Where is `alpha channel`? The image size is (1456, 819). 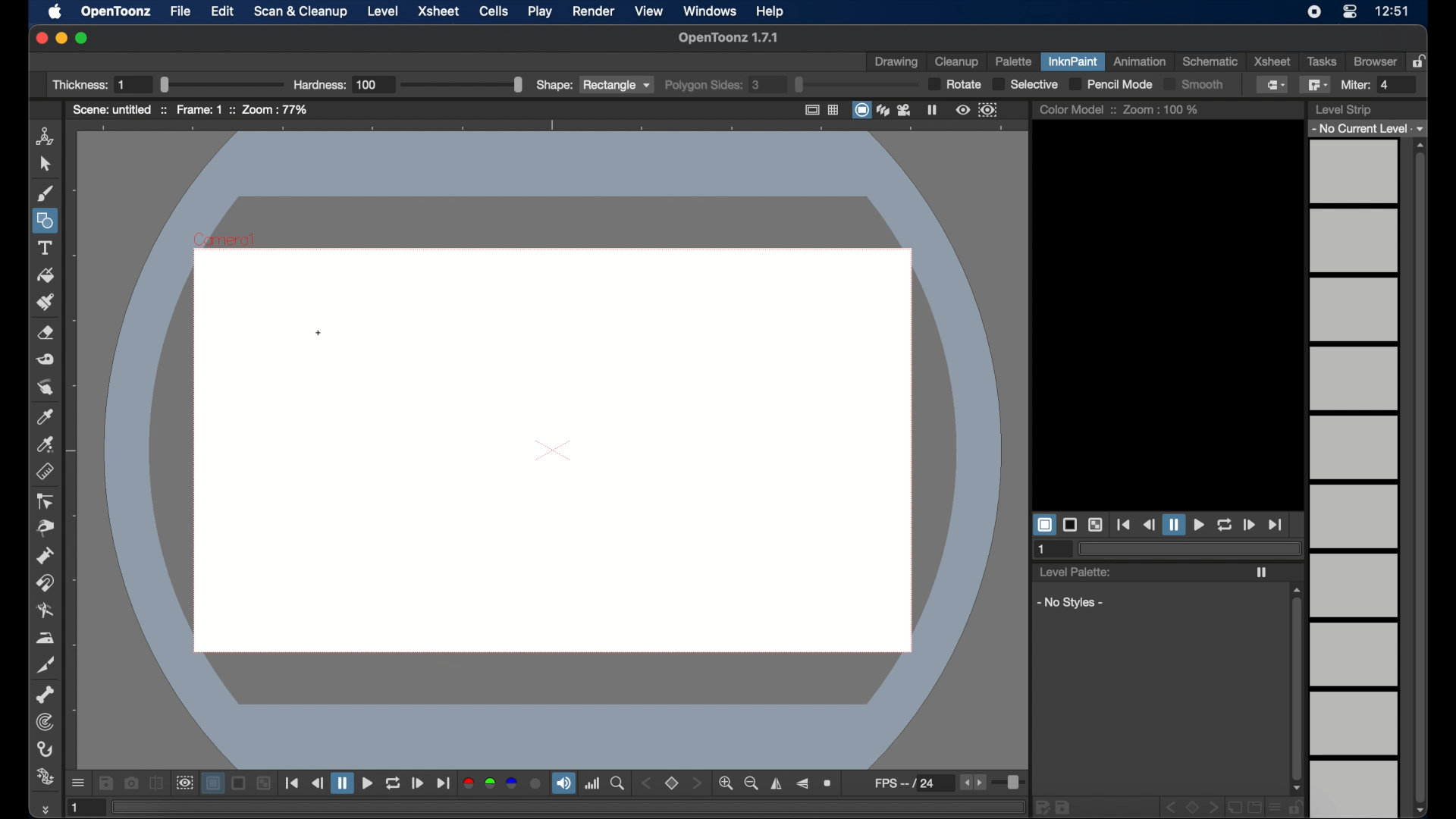 alpha channel is located at coordinates (536, 783).